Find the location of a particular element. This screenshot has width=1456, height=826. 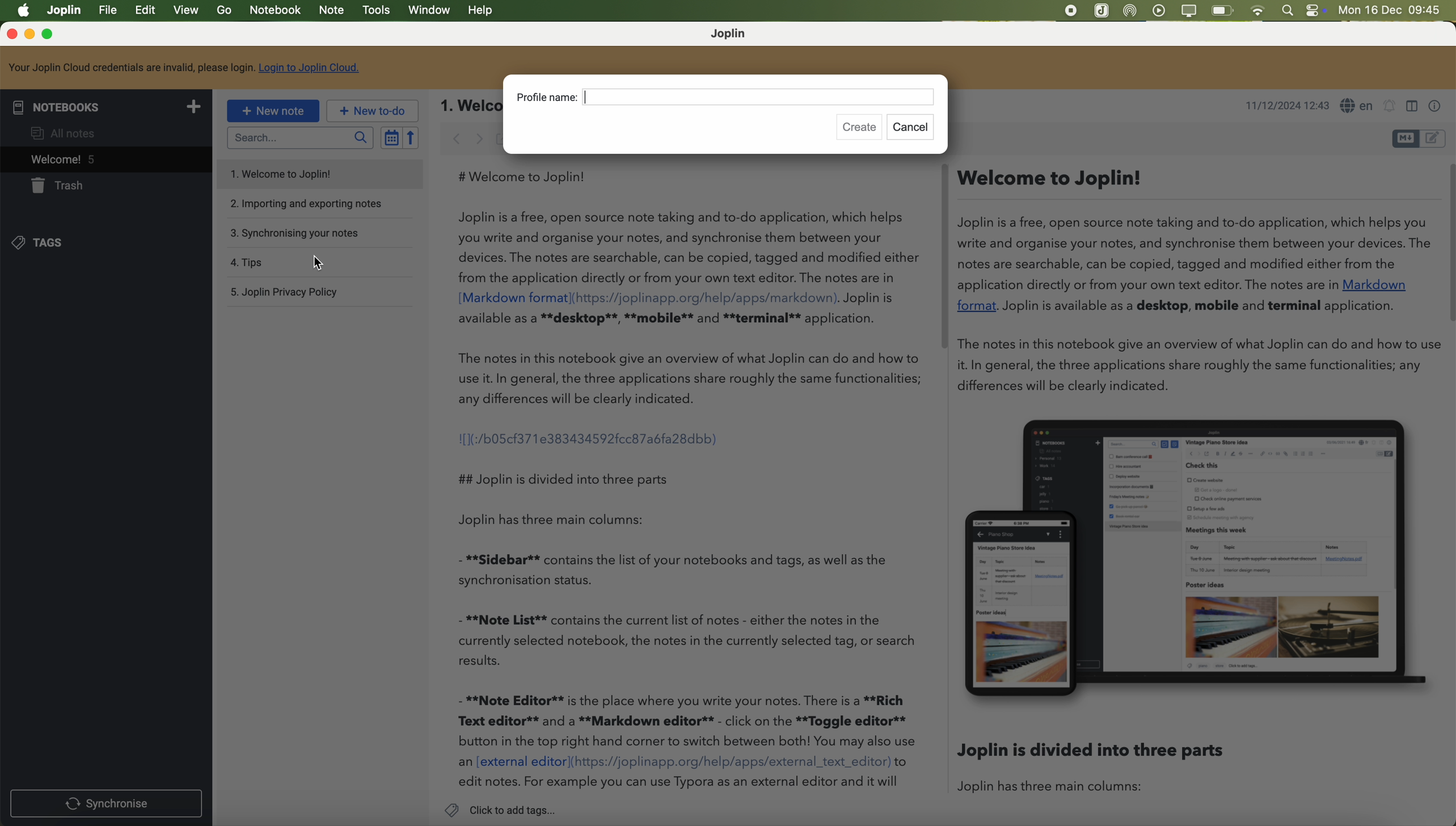

I[1(:/b05cf371e383434592fcc87a6fa28dbb) is located at coordinates (590, 437).